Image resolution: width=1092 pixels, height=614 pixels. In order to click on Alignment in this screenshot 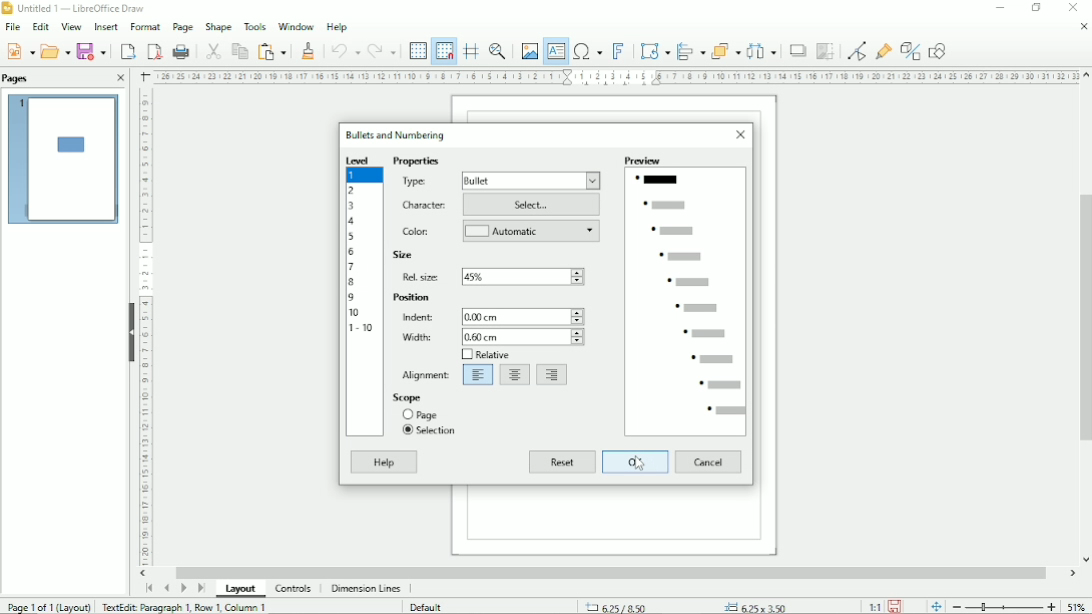, I will do `click(427, 373)`.